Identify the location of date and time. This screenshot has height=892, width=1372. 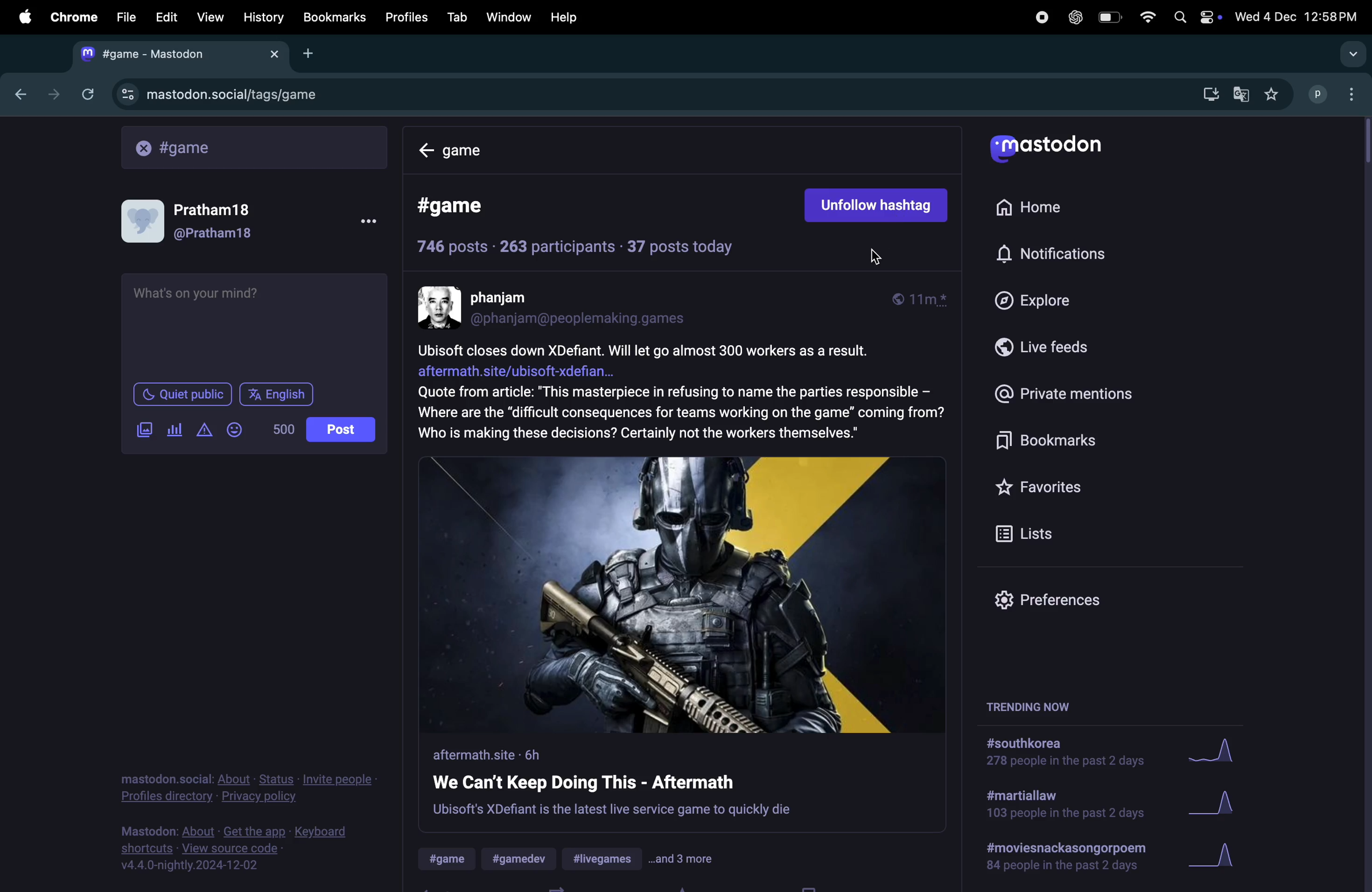
(1298, 17).